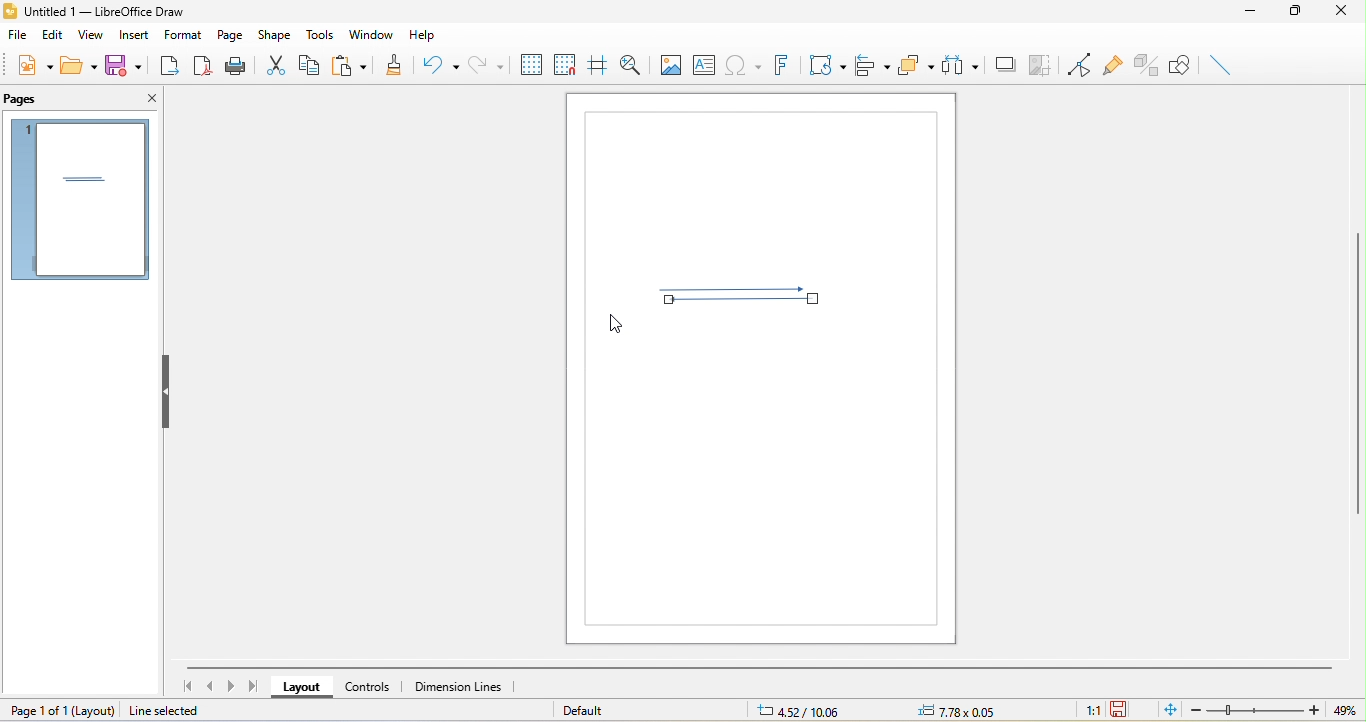 Image resolution: width=1366 pixels, height=722 pixels. I want to click on minimize, so click(1250, 15).